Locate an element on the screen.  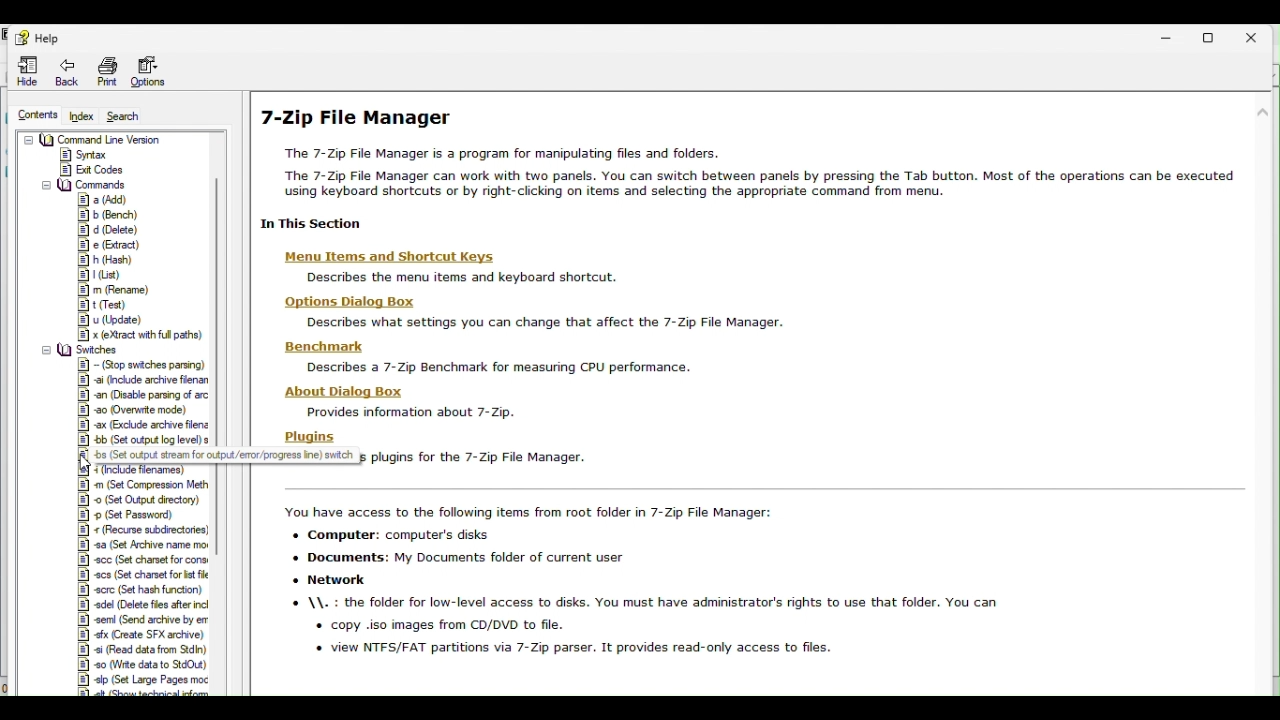
About Dialog Box is located at coordinates (346, 391).